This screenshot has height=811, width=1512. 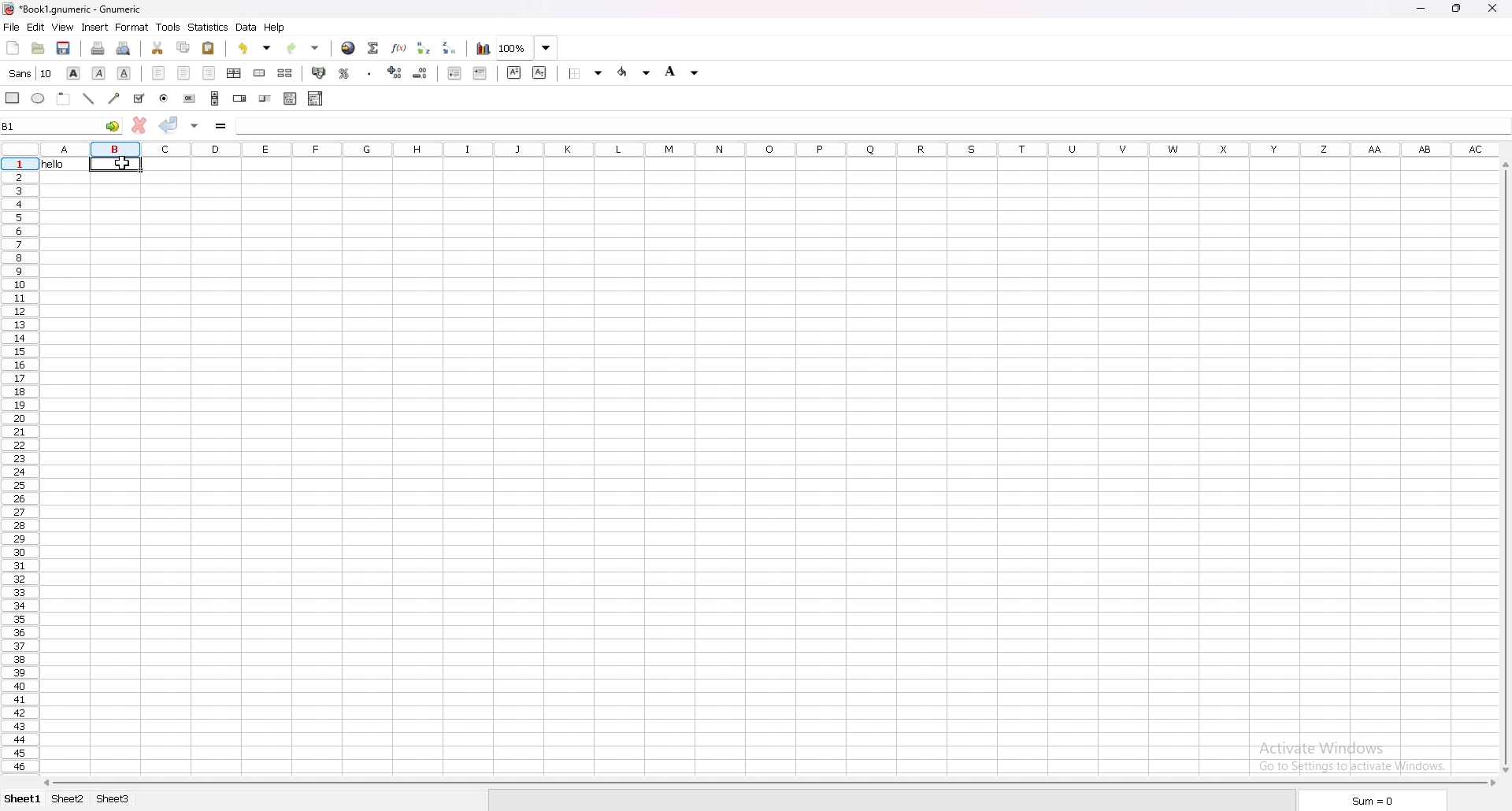 I want to click on format, so click(x=132, y=27).